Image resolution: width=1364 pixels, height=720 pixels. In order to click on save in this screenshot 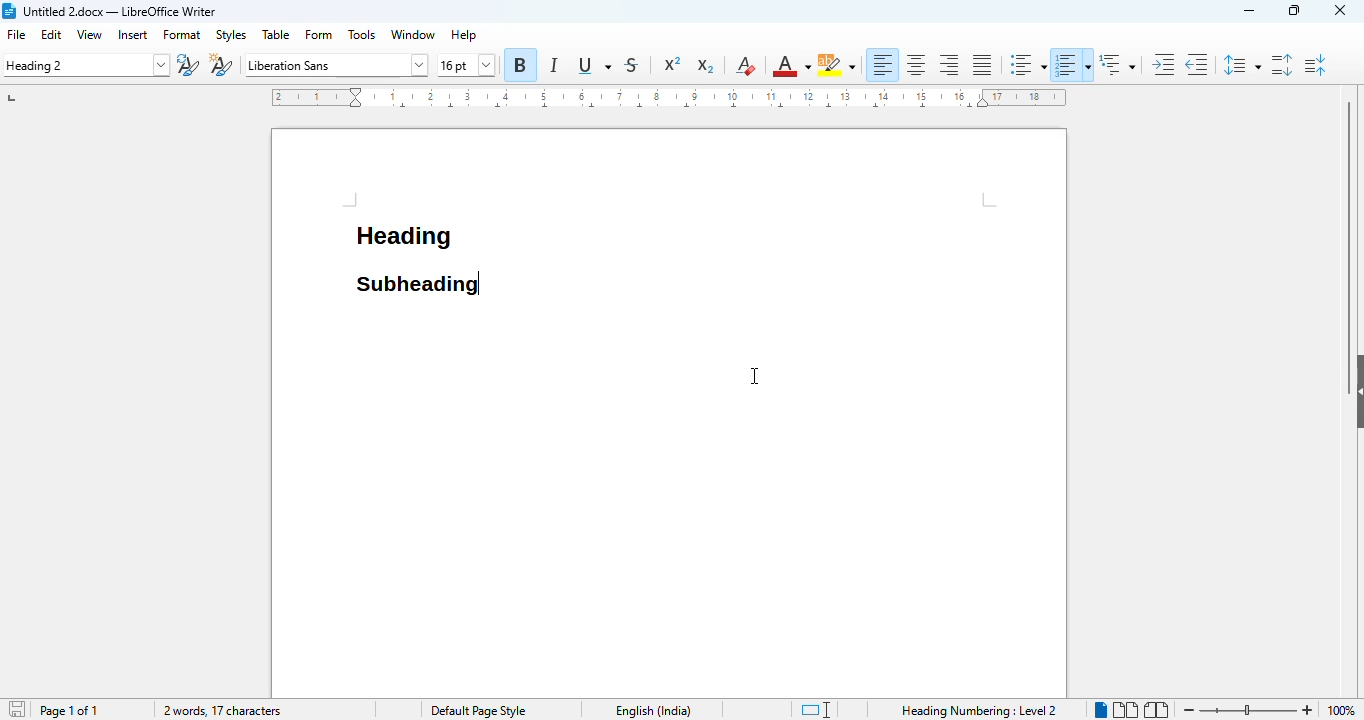, I will do `click(16, 709)`.